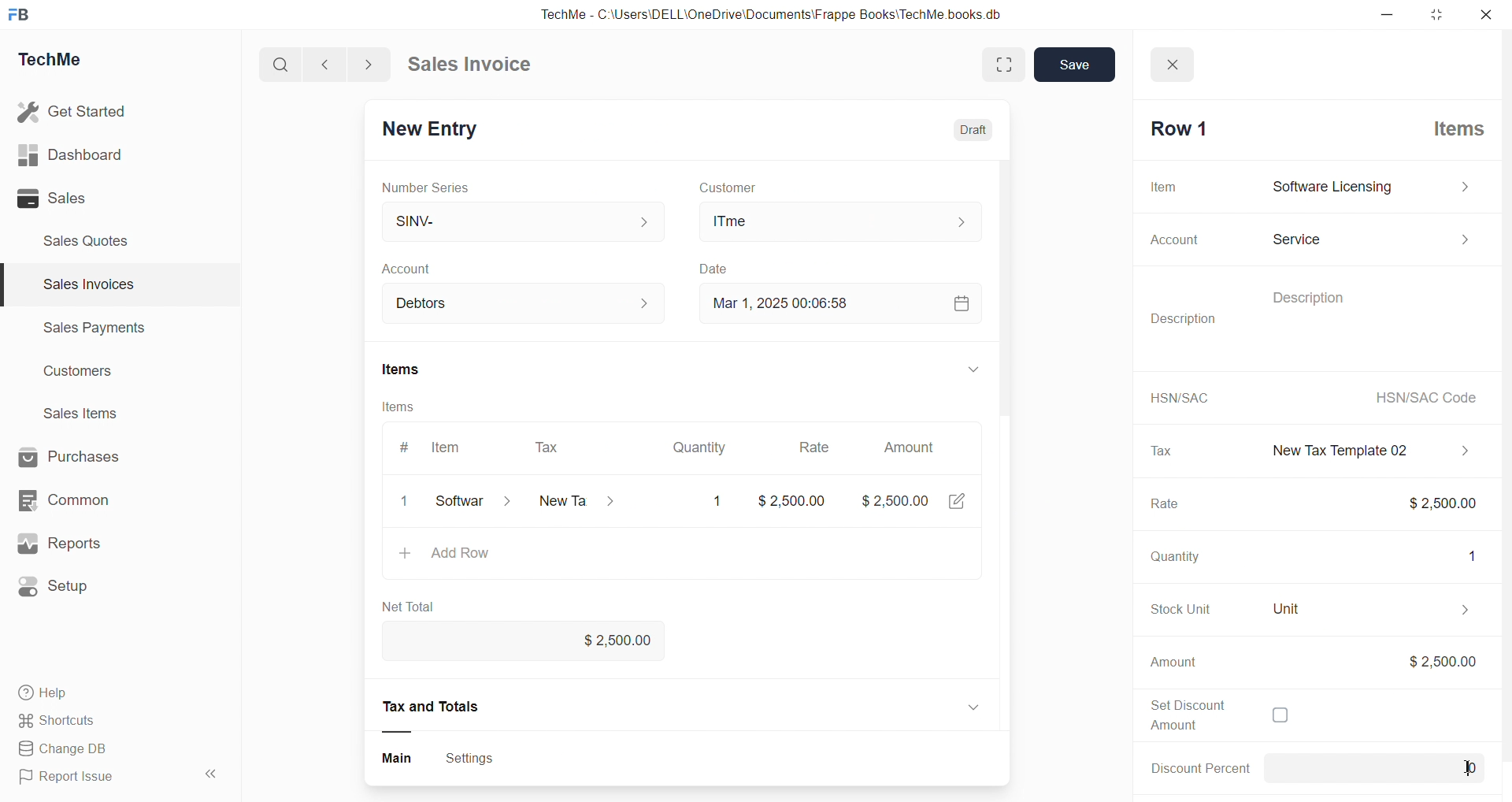 This screenshot has width=1512, height=802. What do you see at coordinates (62, 592) in the screenshot?
I see `@ Setup` at bounding box center [62, 592].